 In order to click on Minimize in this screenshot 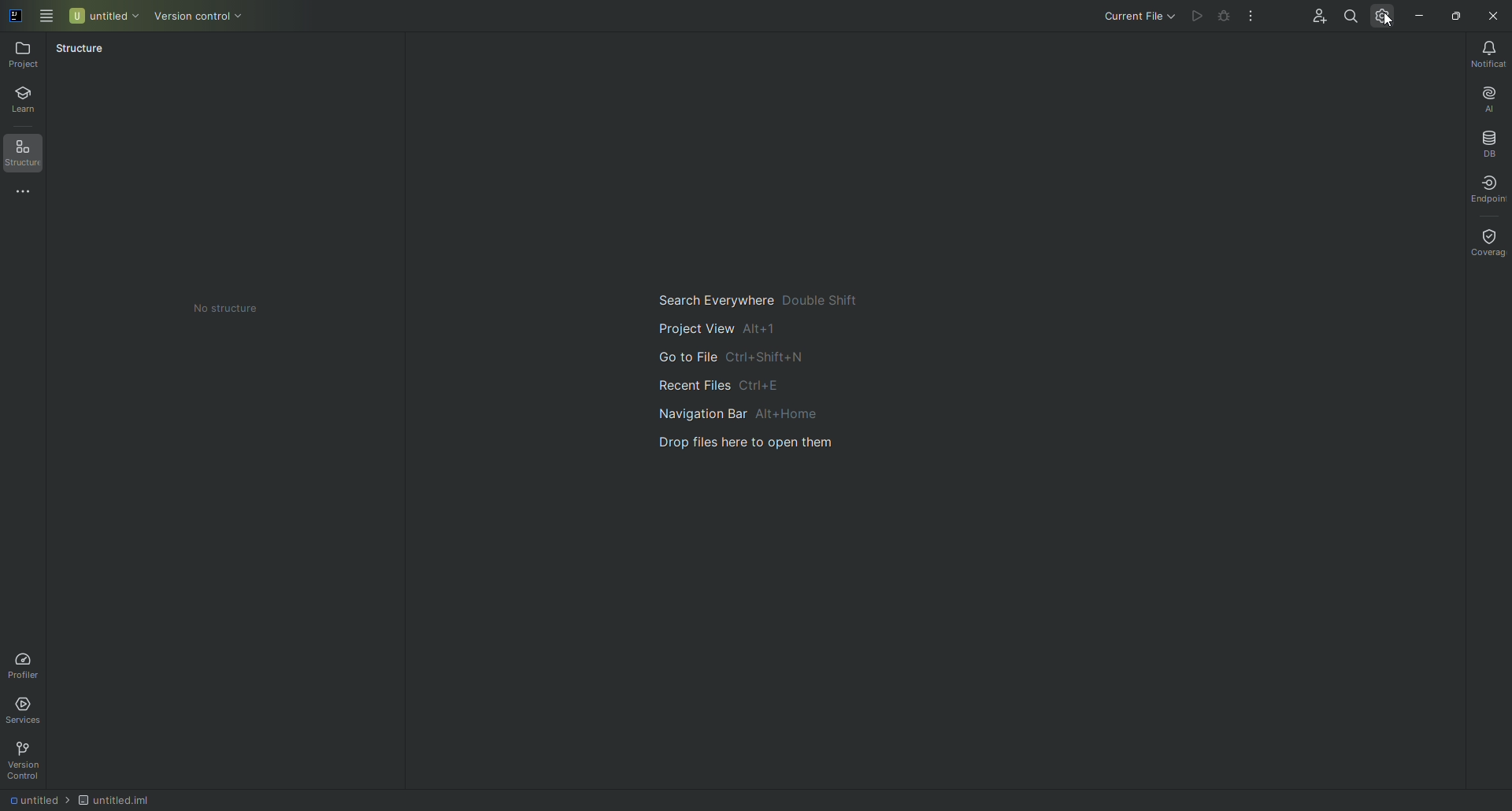, I will do `click(1422, 15)`.